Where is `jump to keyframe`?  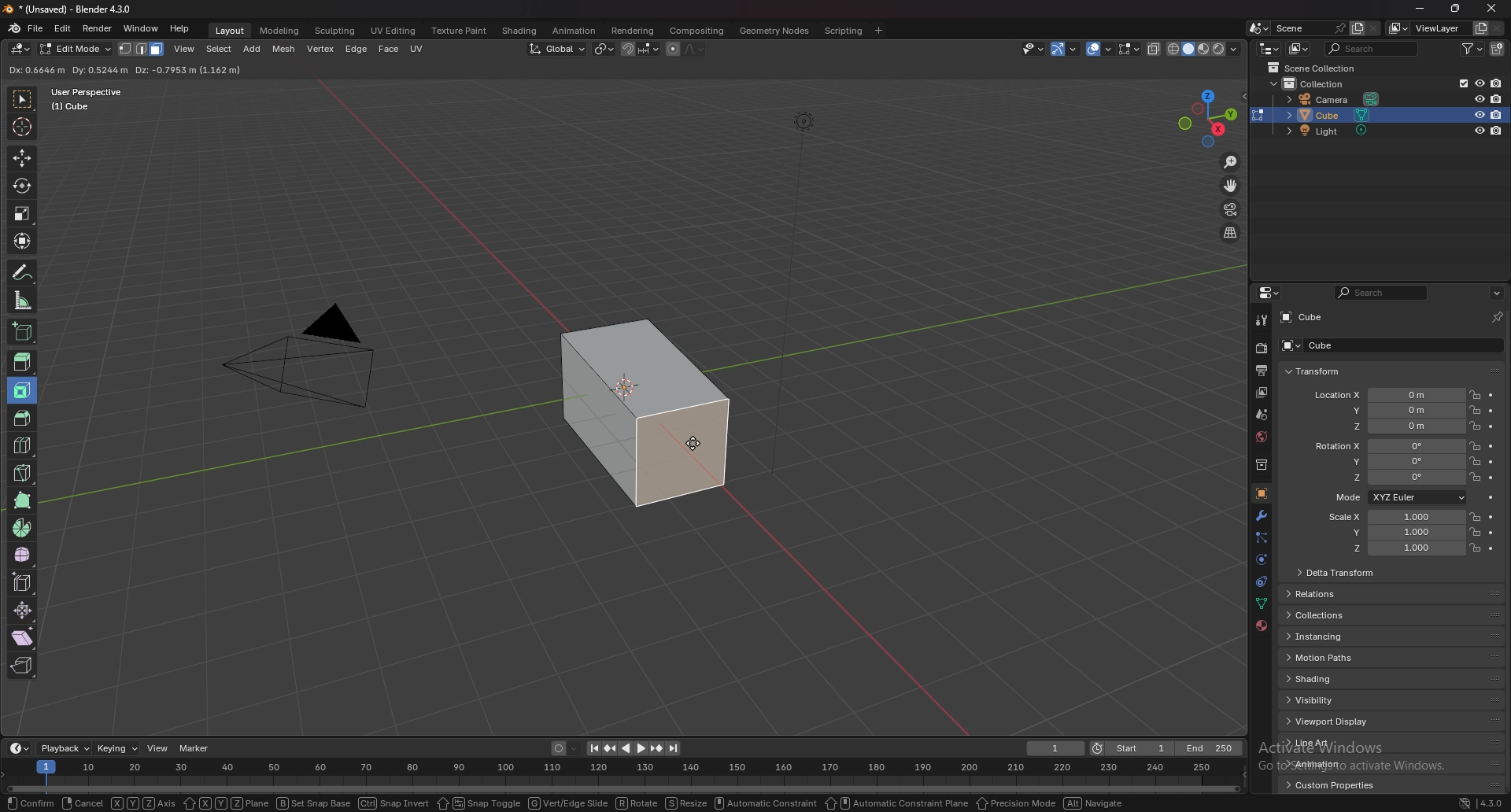 jump to keyframe is located at coordinates (657, 748).